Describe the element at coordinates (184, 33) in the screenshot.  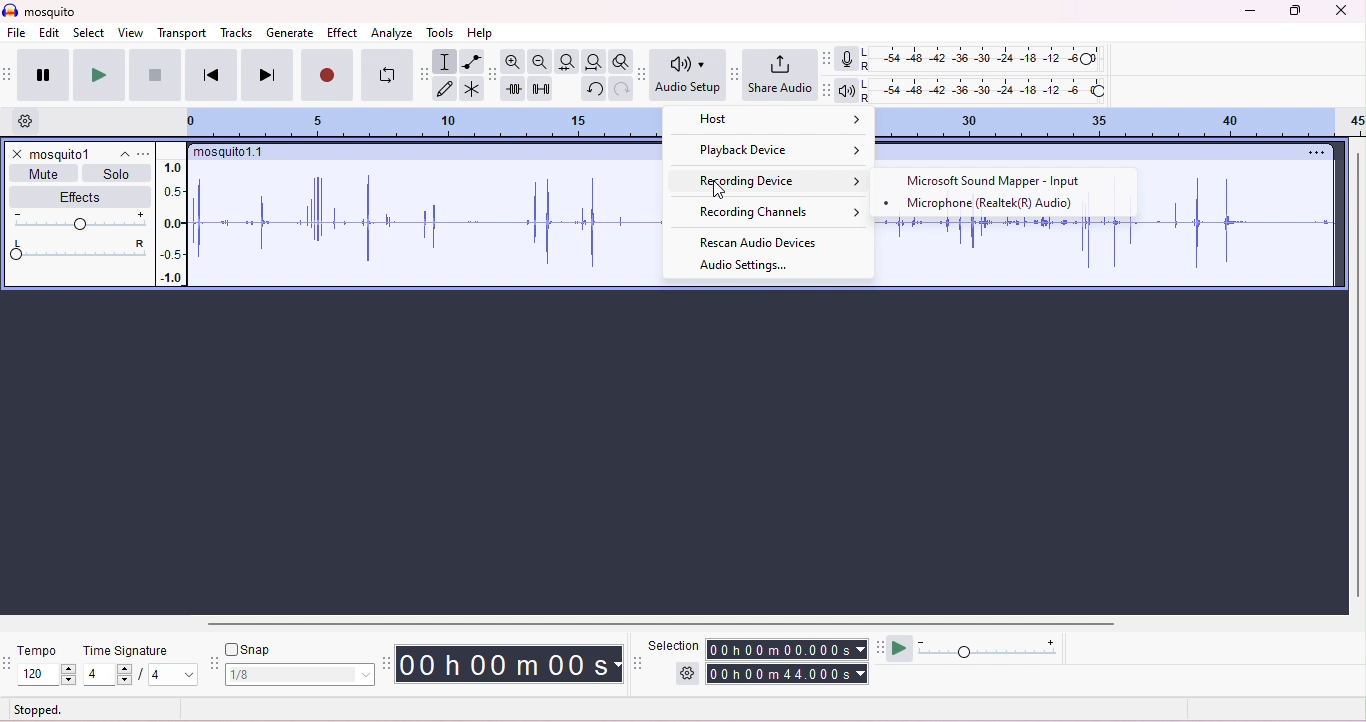
I see `transport` at that location.